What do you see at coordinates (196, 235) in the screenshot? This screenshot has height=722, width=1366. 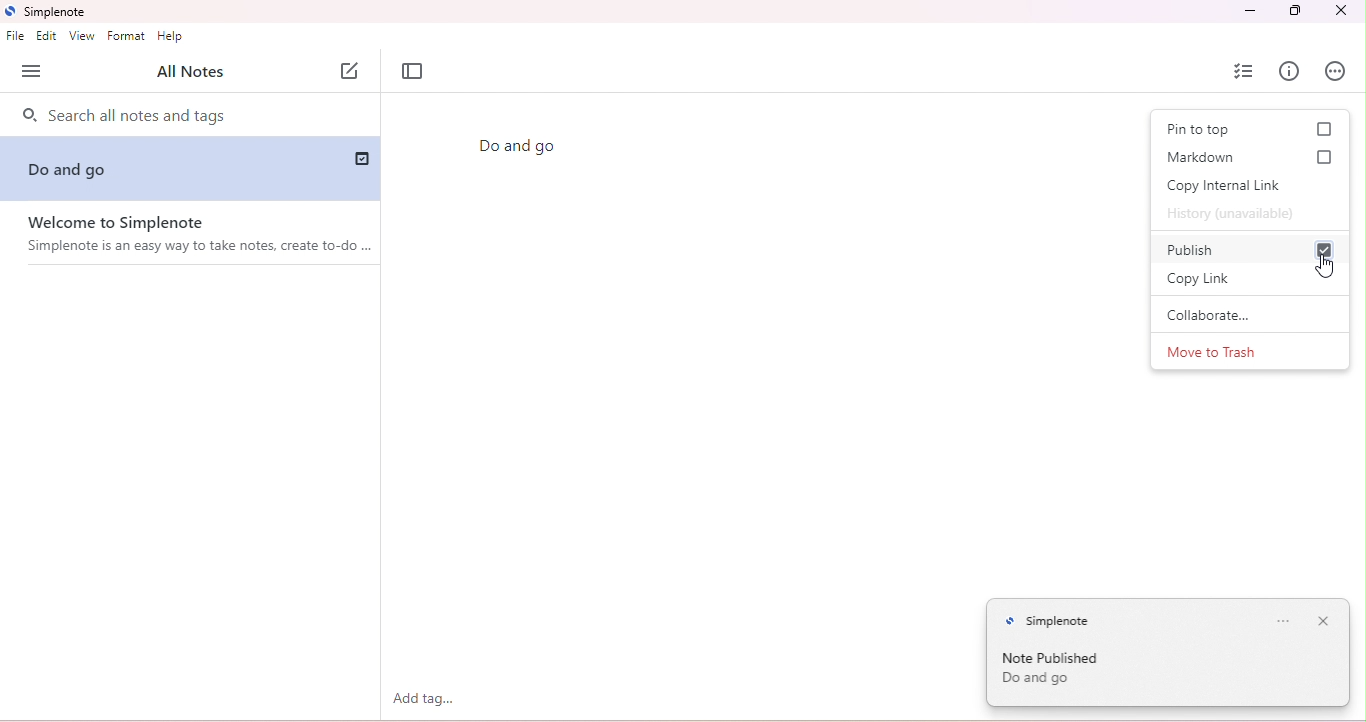 I see `welcome note` at bounding box center [196, 235].